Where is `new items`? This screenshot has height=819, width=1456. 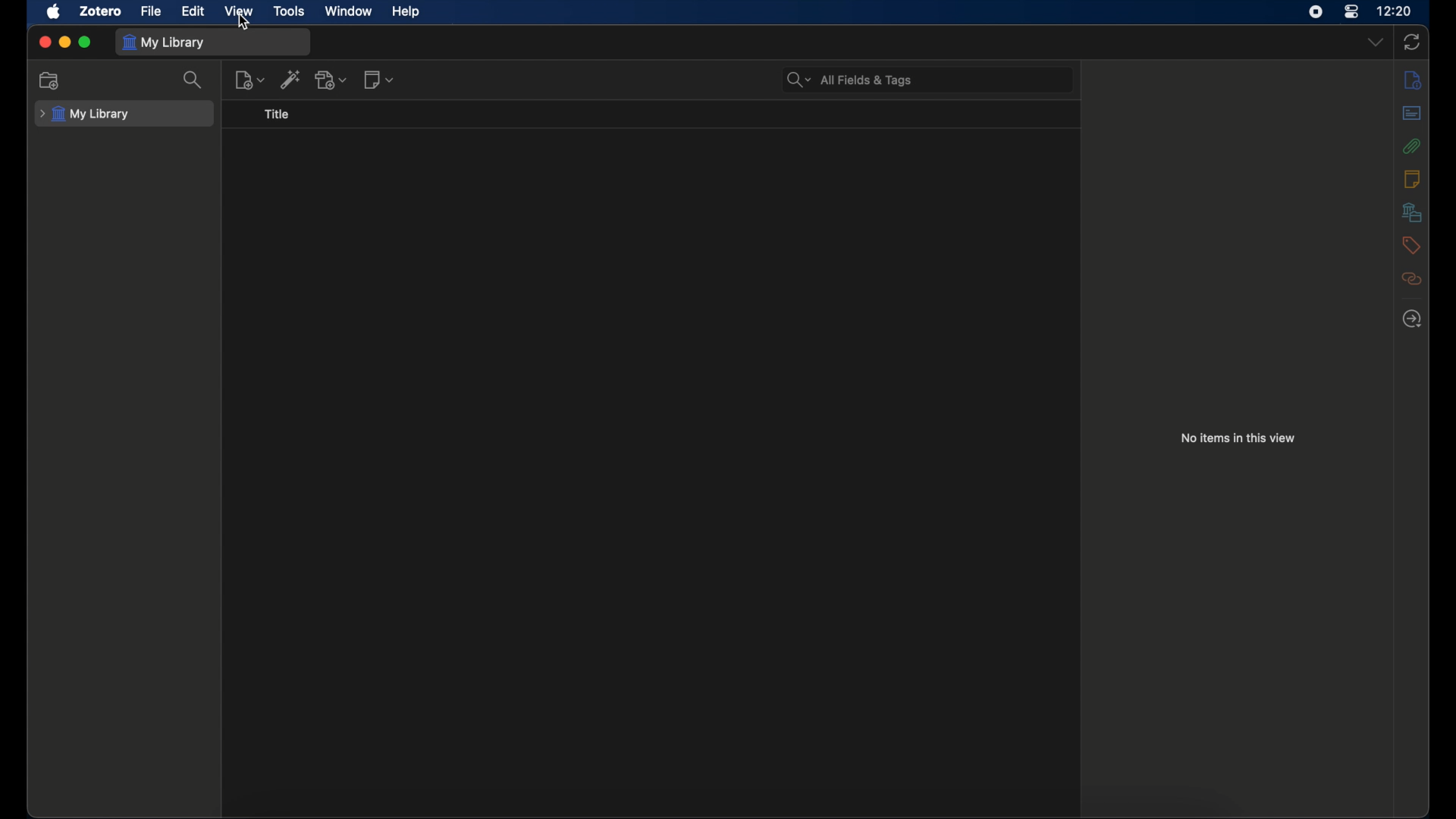 new items is located at coordinates (249, 80).